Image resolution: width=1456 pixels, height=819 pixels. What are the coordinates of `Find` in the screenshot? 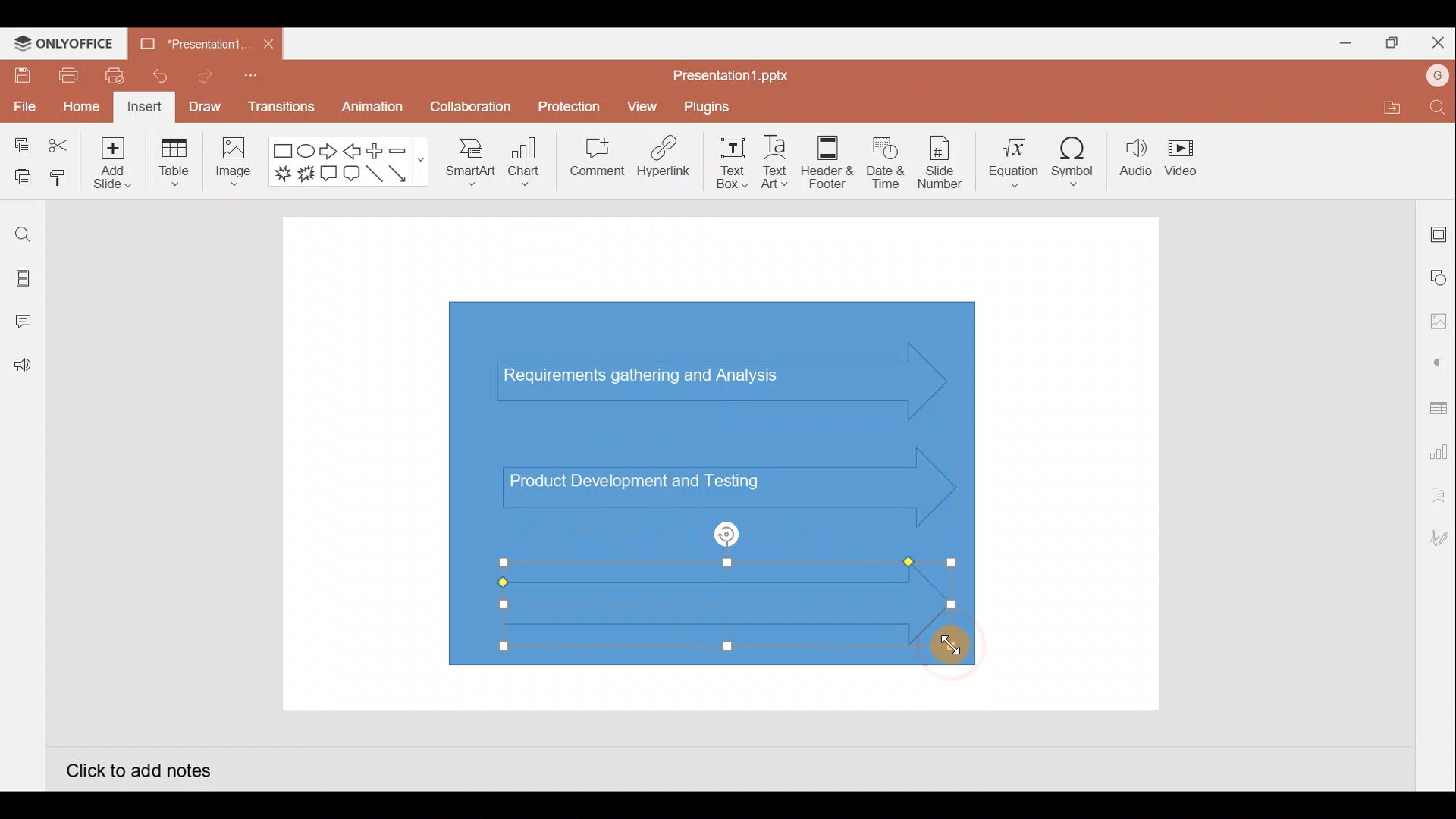 It's located at (1439, 107).